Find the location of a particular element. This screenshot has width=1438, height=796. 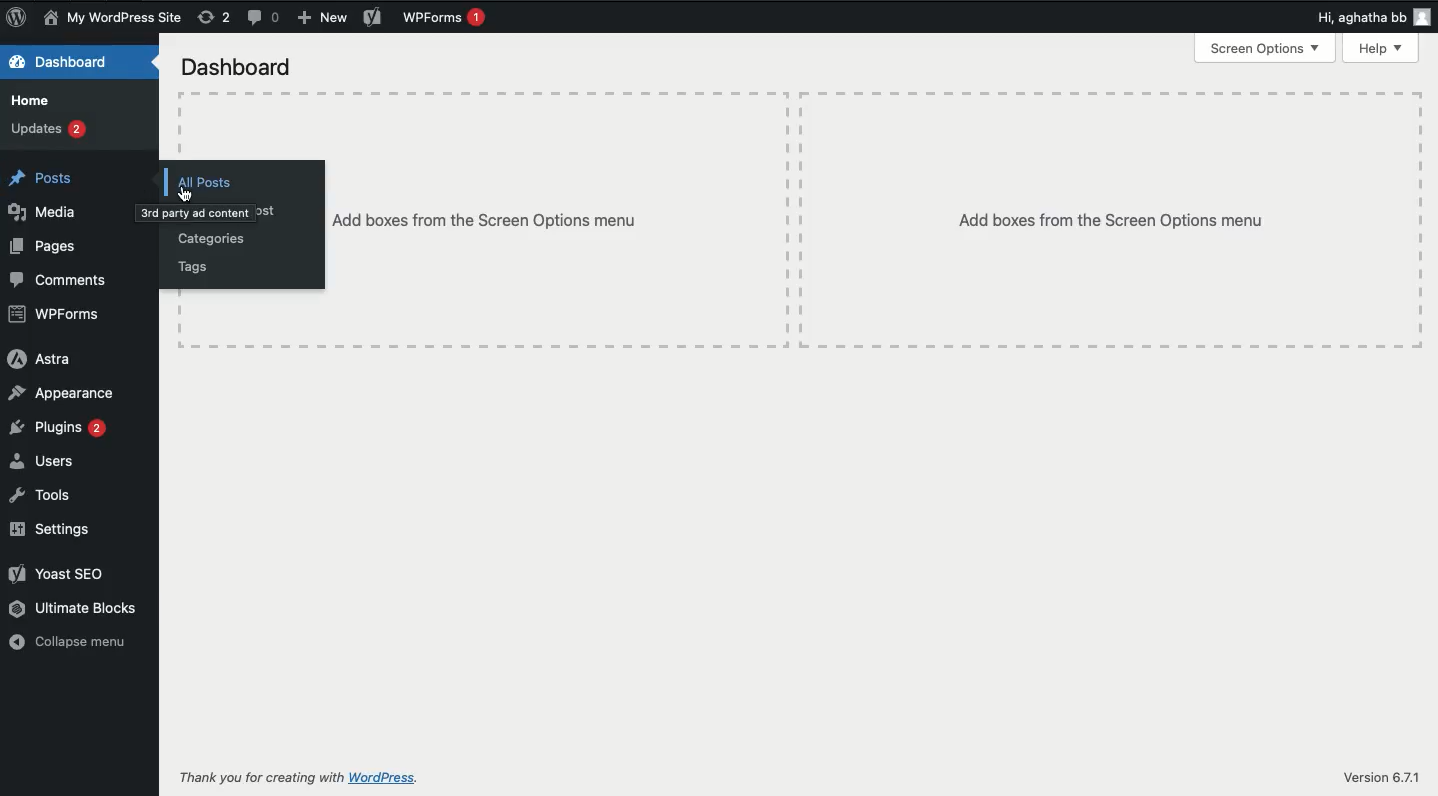

Revisions is located at coordinates (215, 18).